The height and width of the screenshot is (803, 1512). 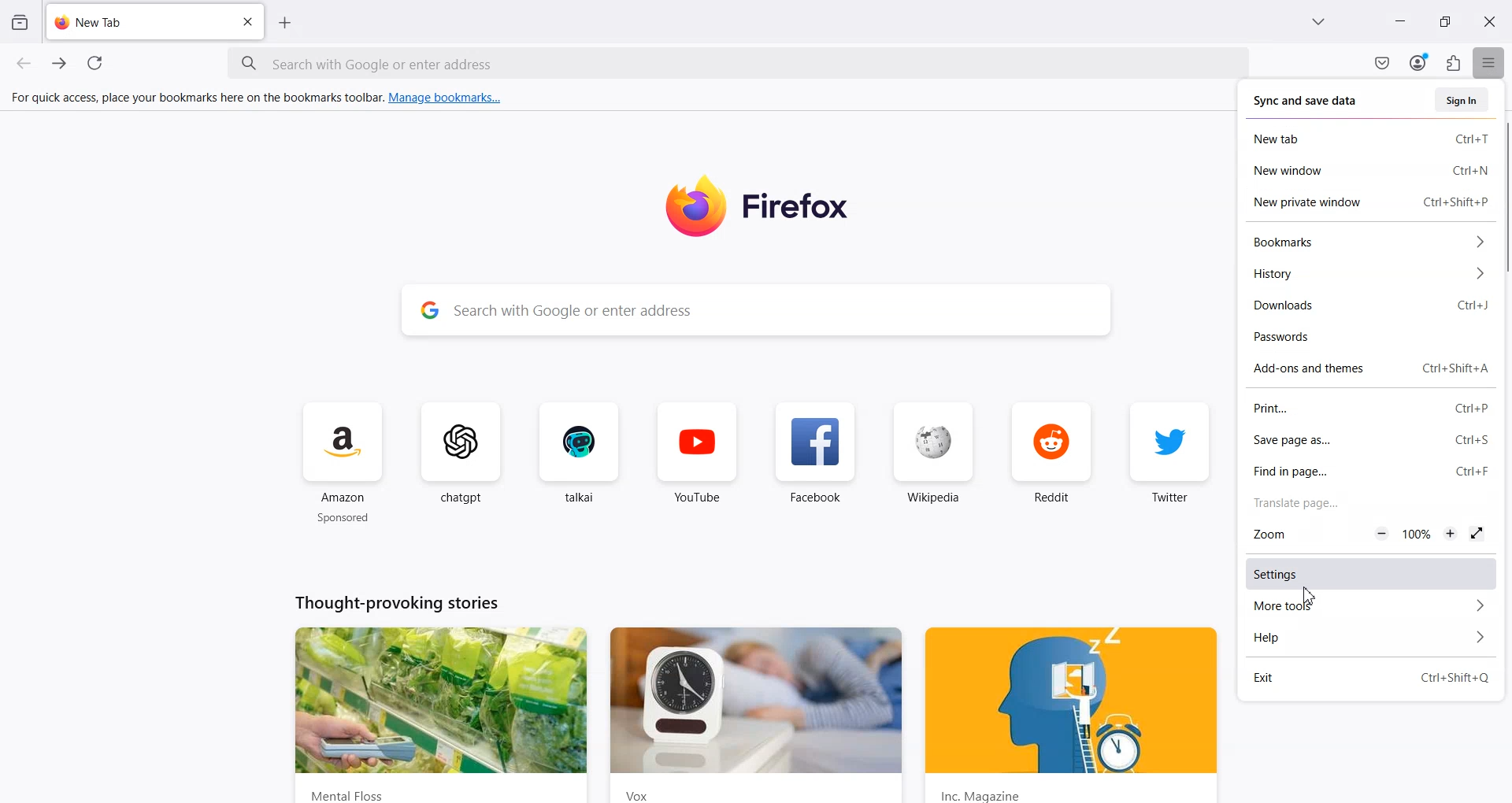 What do you see at coordinates (1374, 676) in the screenshot?
I see `Exit Ctrl+Shift+Q` at bounding box center [1374, 676].